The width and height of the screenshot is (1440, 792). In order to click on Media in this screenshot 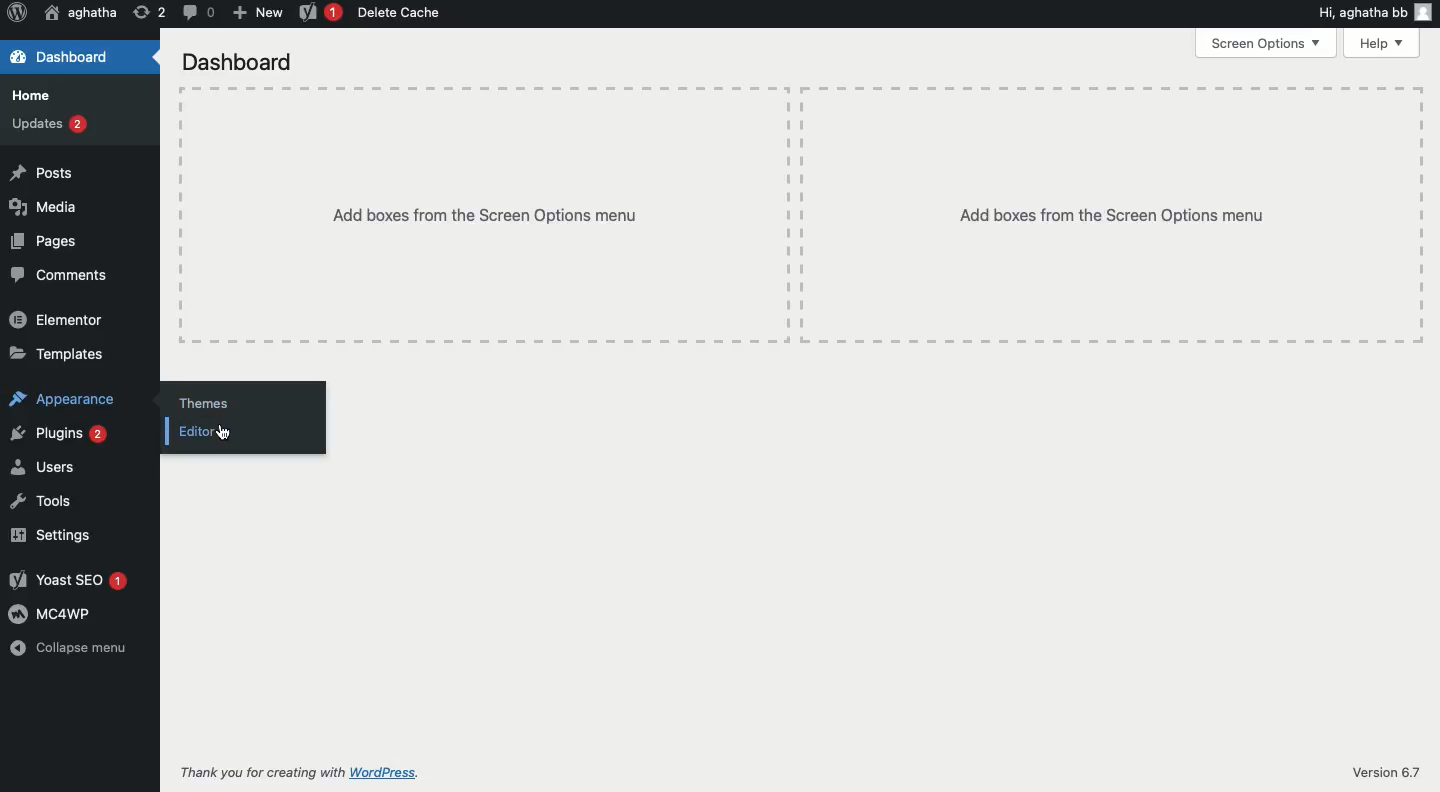, I will do `click(48, 207)`.